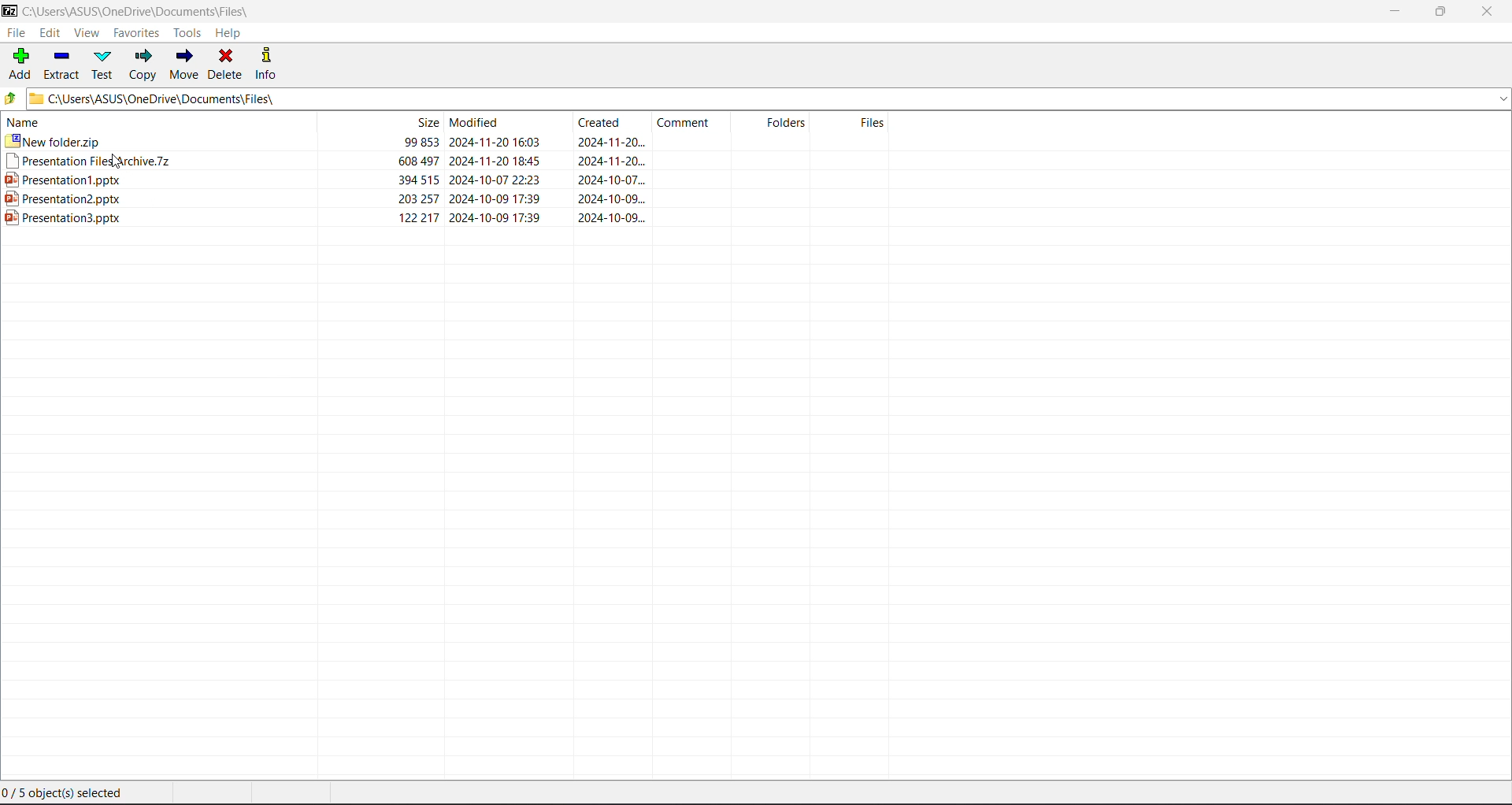 This screenshot has height=805, width=1512. Describe the element at coordinates (228, 65) in the screenshot. I see `Delete` at that location.